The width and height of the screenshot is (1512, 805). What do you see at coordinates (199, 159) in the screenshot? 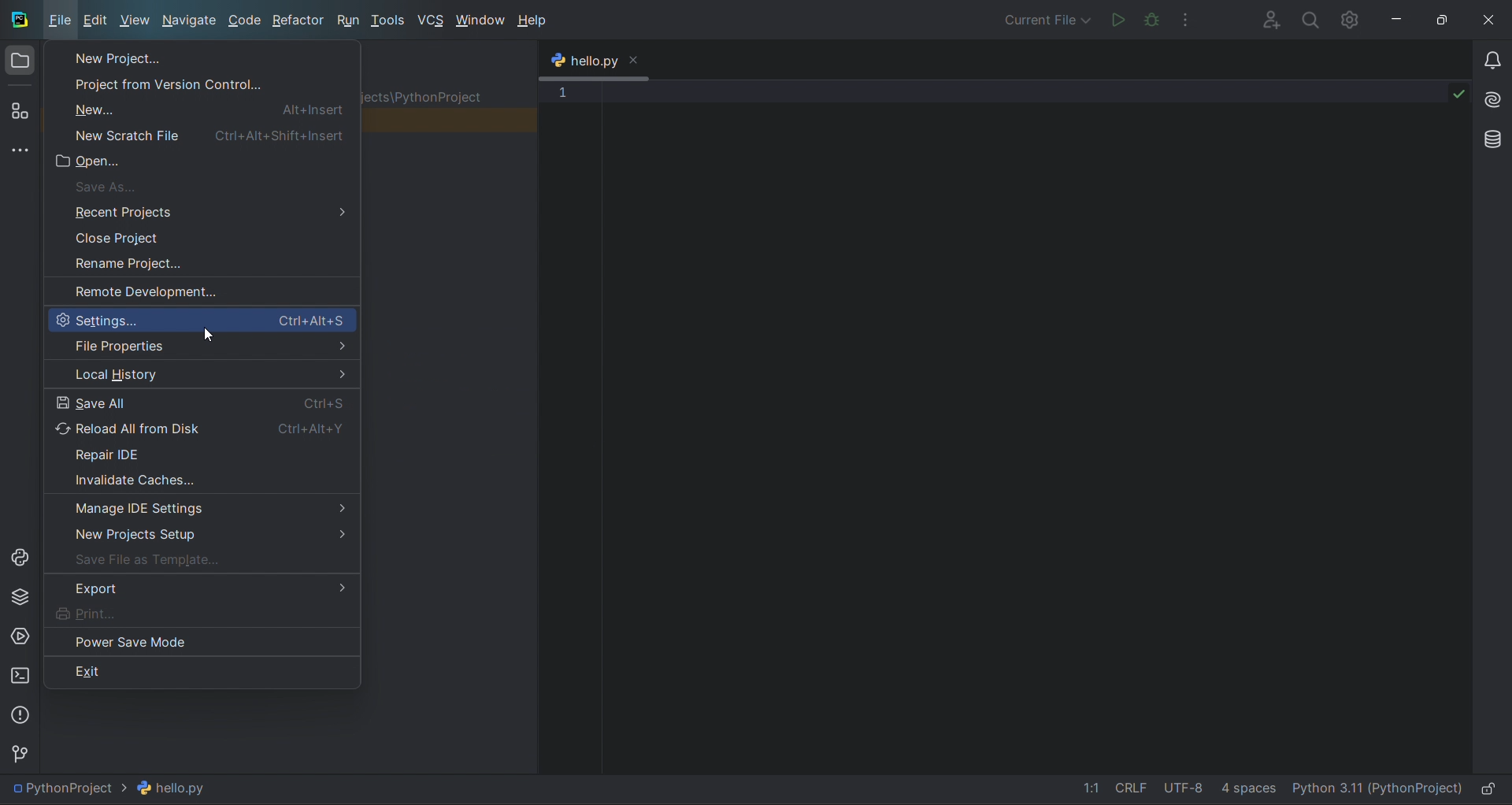
I see `open` at bounding box center [199, 159].